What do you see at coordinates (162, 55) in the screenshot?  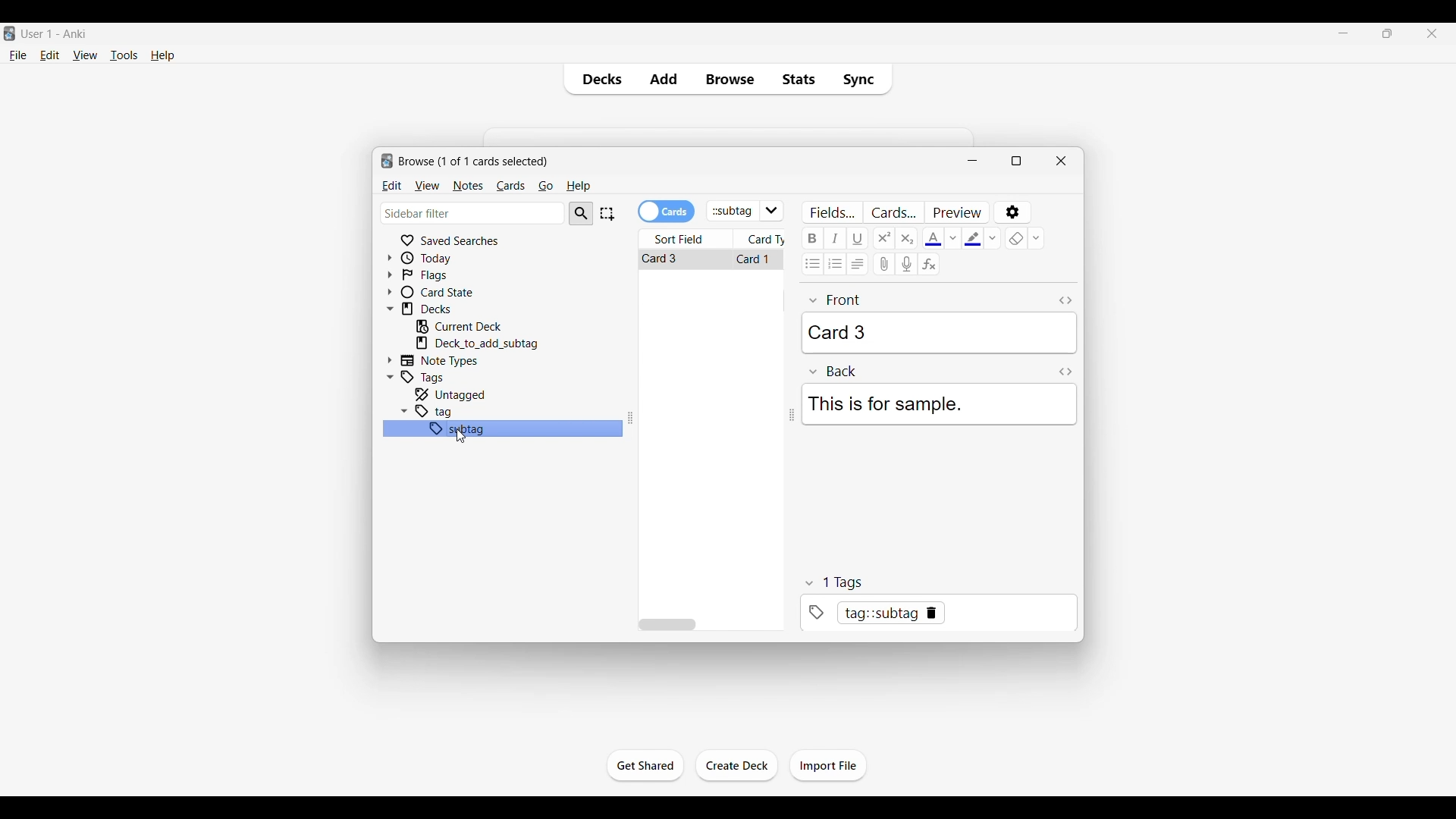 I see `Help menu` at bounding box center [162, 55].